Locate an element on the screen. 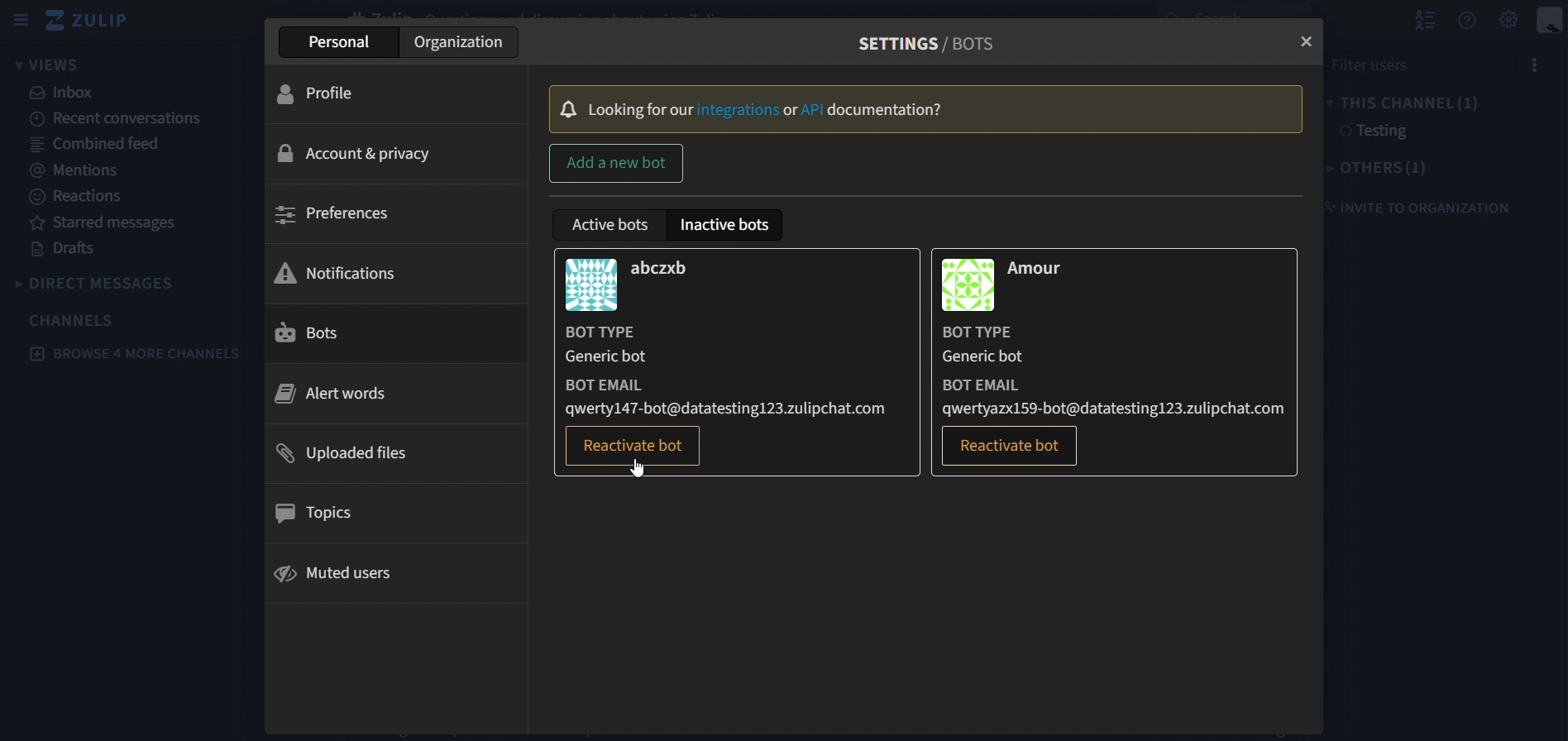  uploaded files is located at coordinates (355, 456).